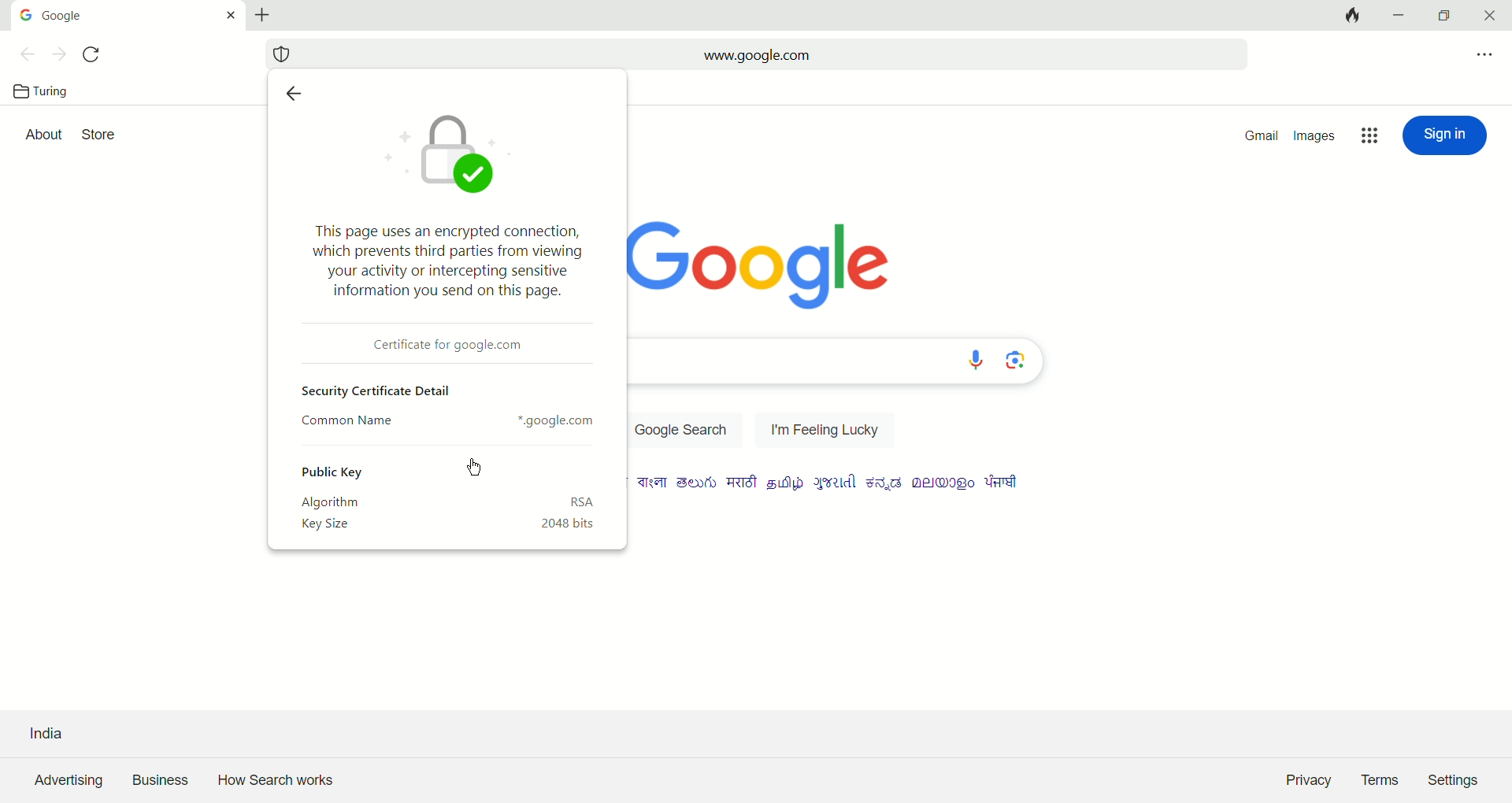  I want to click on Settings, so click(1458, 778).